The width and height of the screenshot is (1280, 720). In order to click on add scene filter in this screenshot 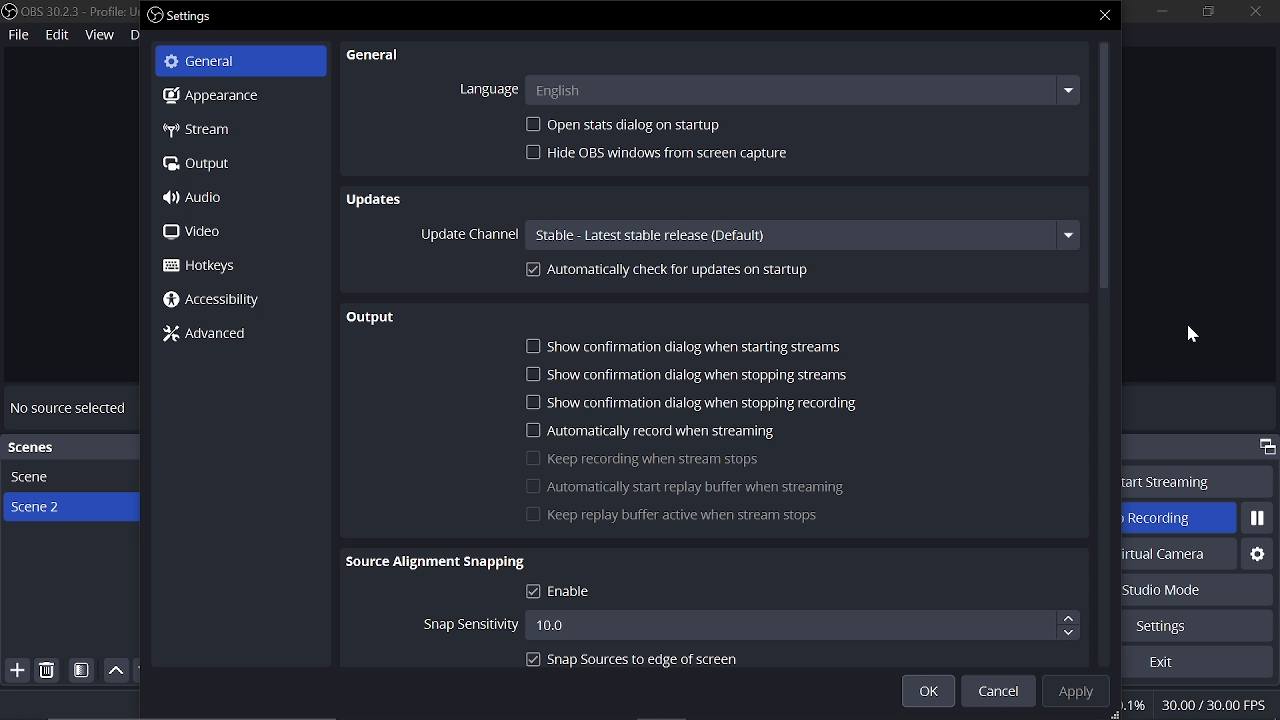, I will do `click(82, 671)`.